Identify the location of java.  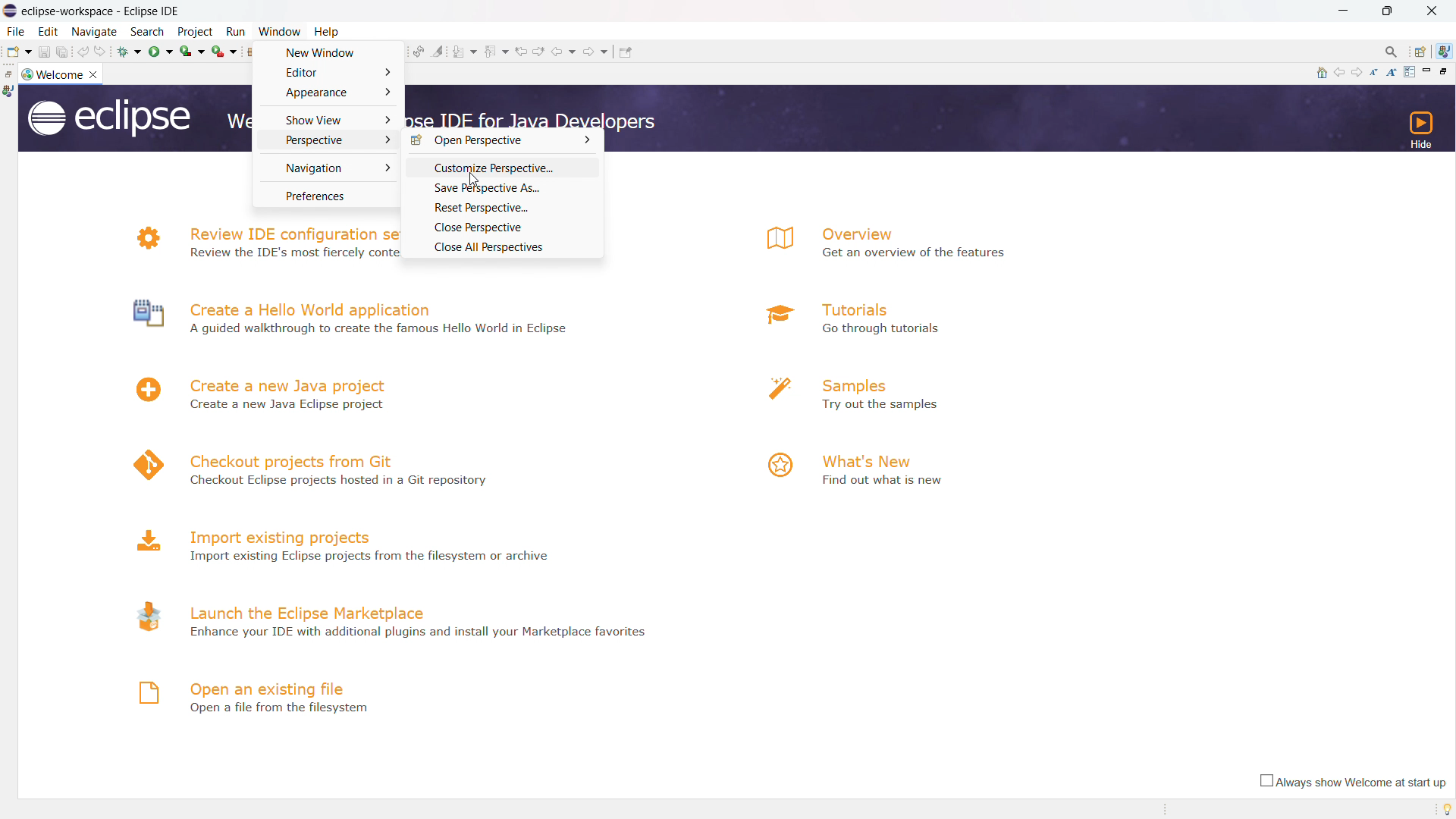
(1446, 51).